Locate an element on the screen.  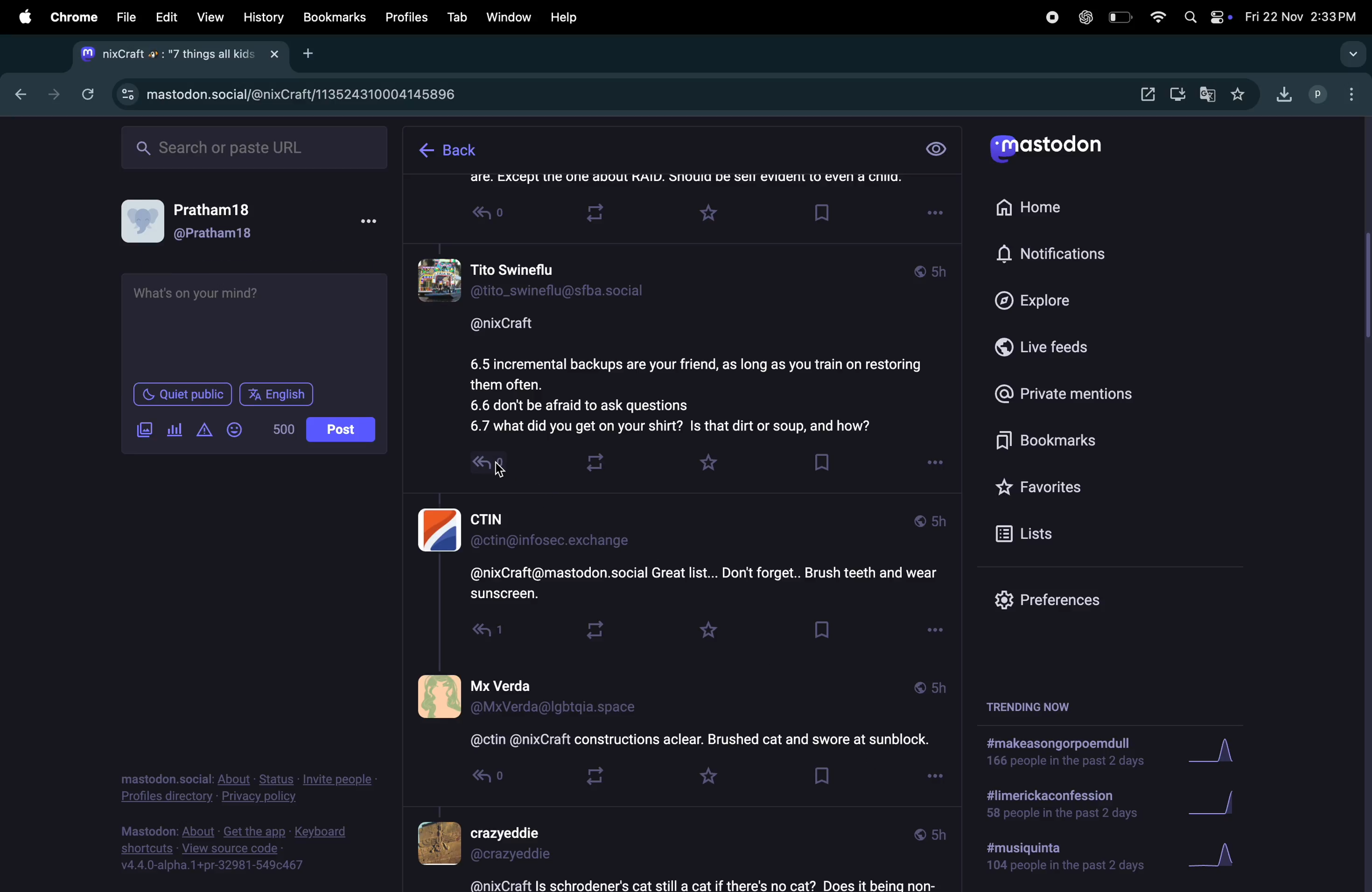
Bookmark is located at coordinates (826, 633).